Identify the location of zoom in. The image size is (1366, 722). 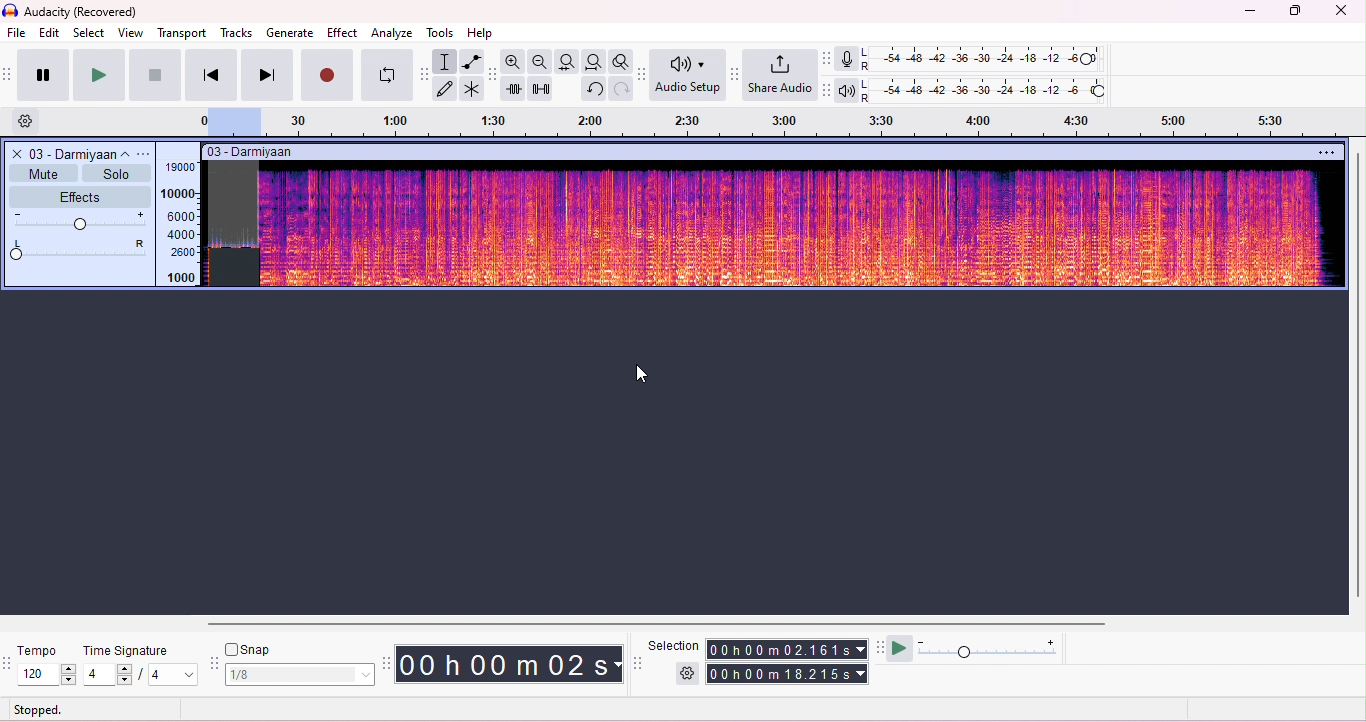
(512, 61).